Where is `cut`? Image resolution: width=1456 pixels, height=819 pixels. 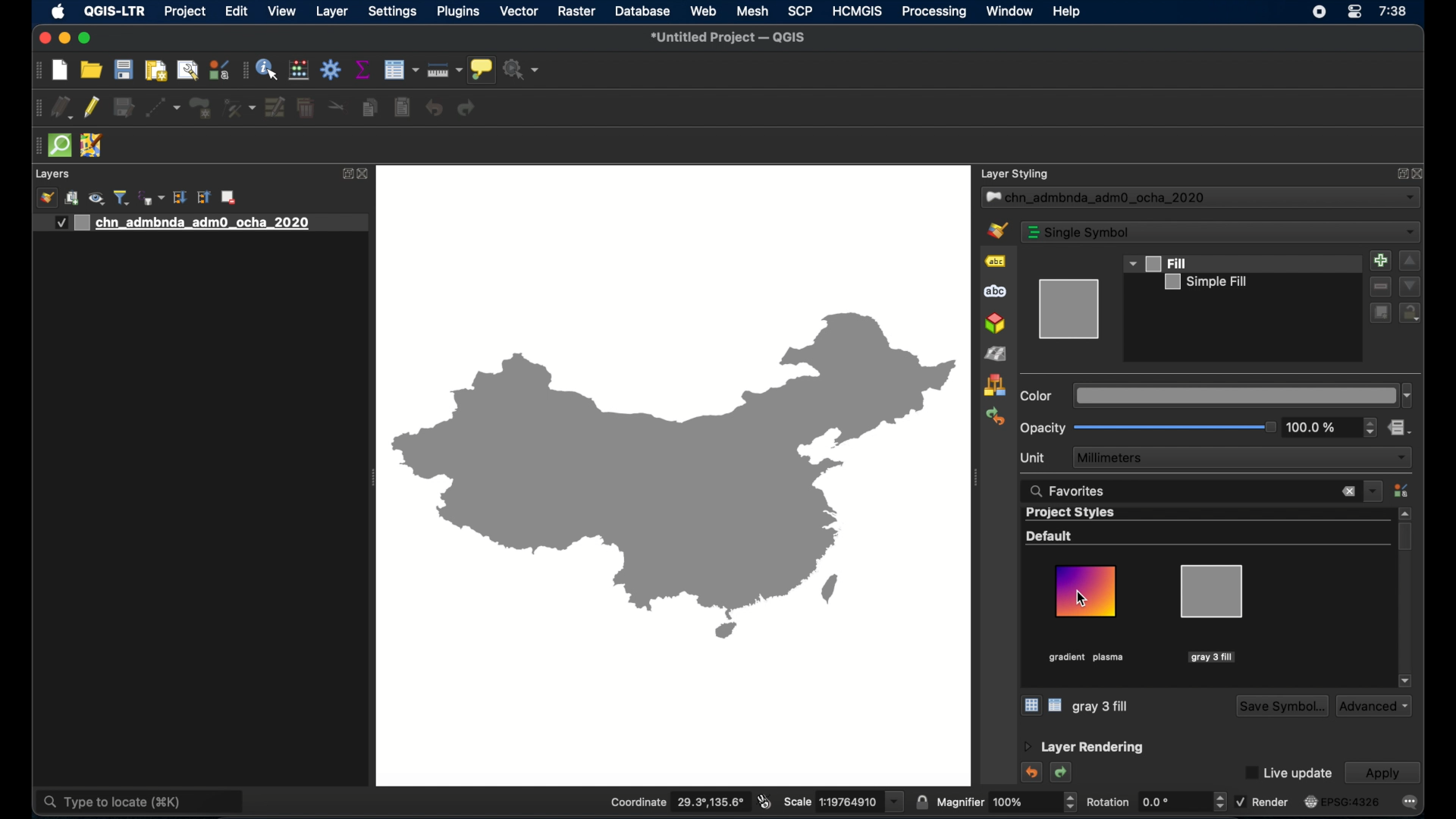
cut is located at coordinates (339, 105).